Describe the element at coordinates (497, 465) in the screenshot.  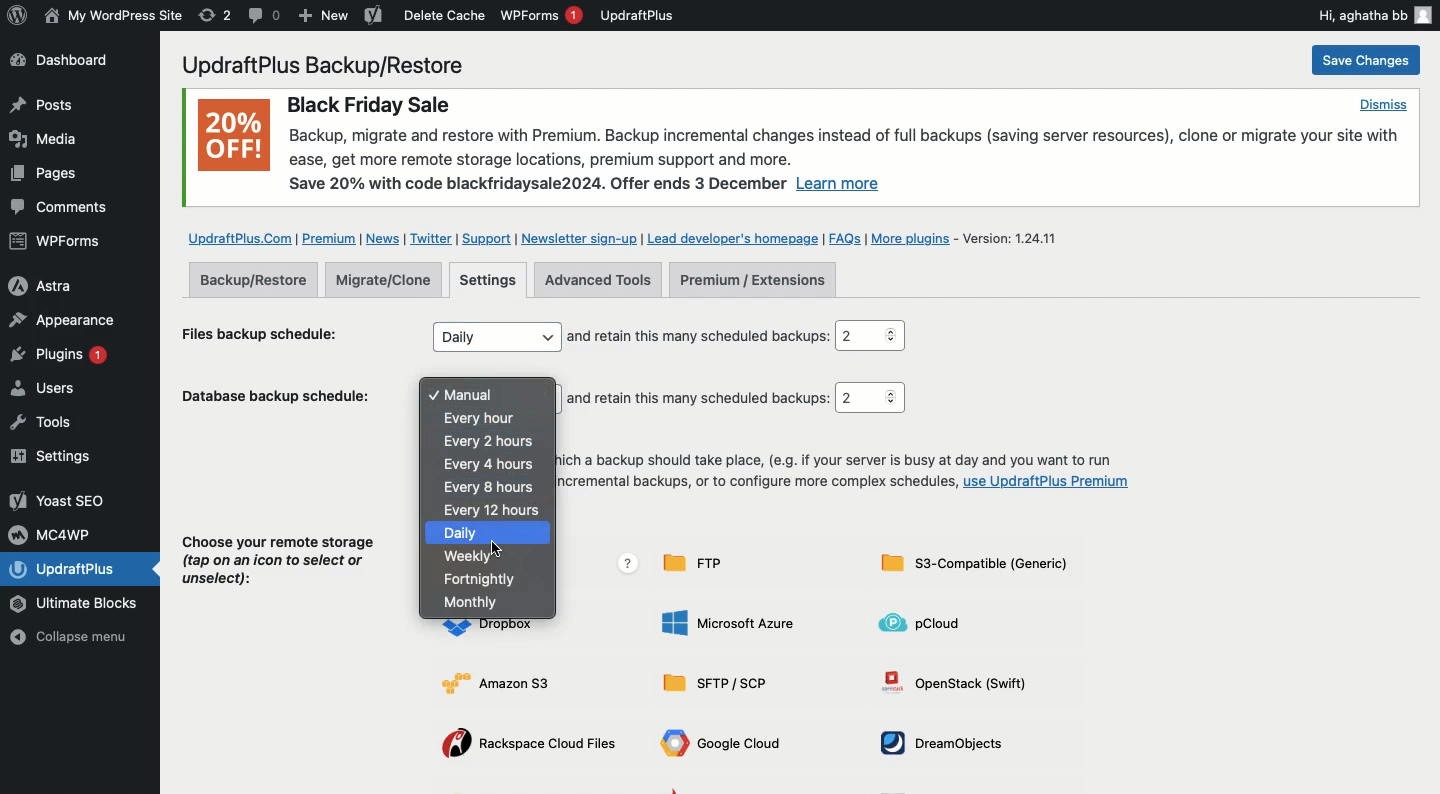
I see `Every 4 hours` at that location.